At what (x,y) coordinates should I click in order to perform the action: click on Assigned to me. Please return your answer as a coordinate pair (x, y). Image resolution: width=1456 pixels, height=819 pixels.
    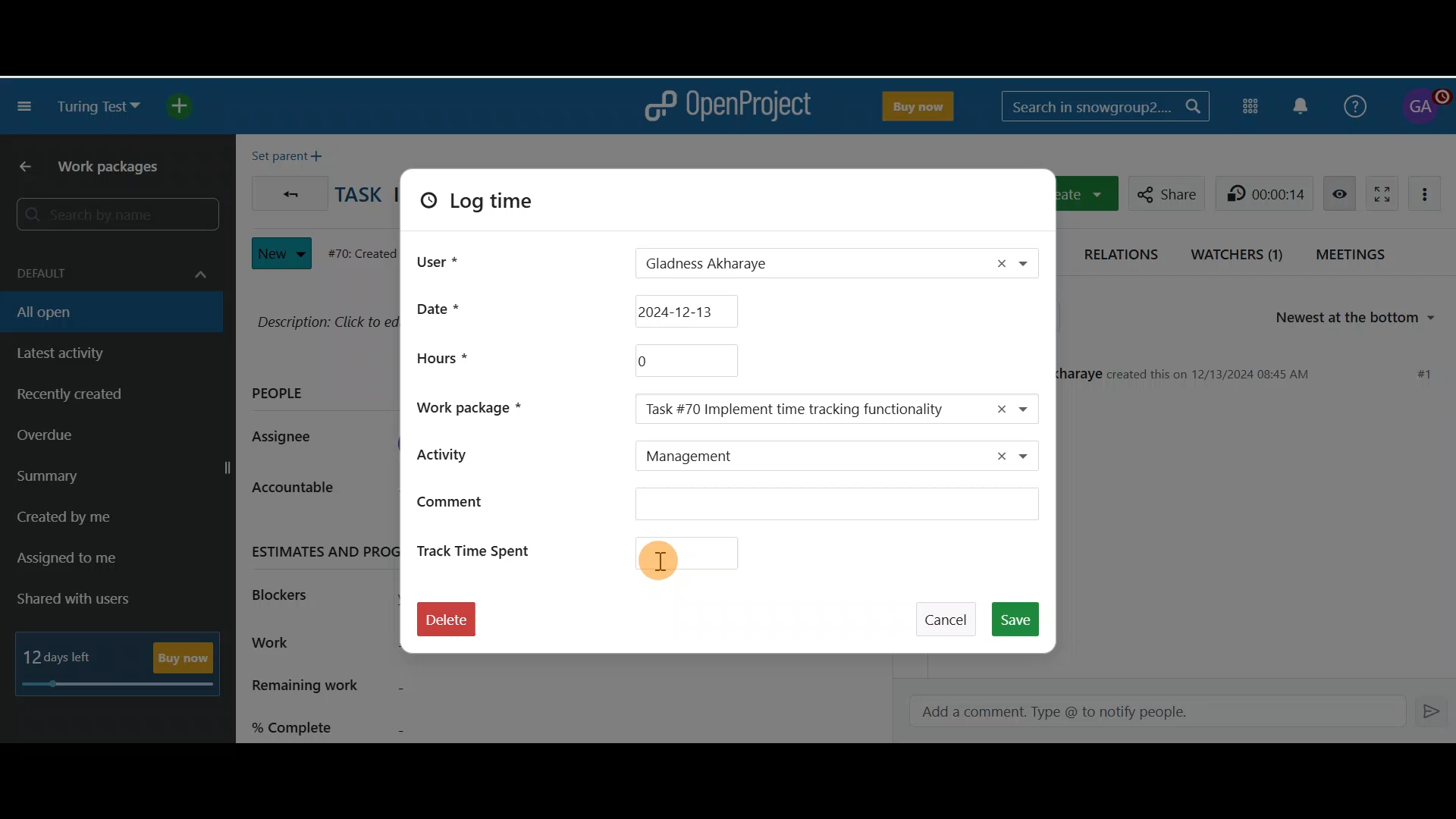
    Looking at the image, I should click on (88, 560).